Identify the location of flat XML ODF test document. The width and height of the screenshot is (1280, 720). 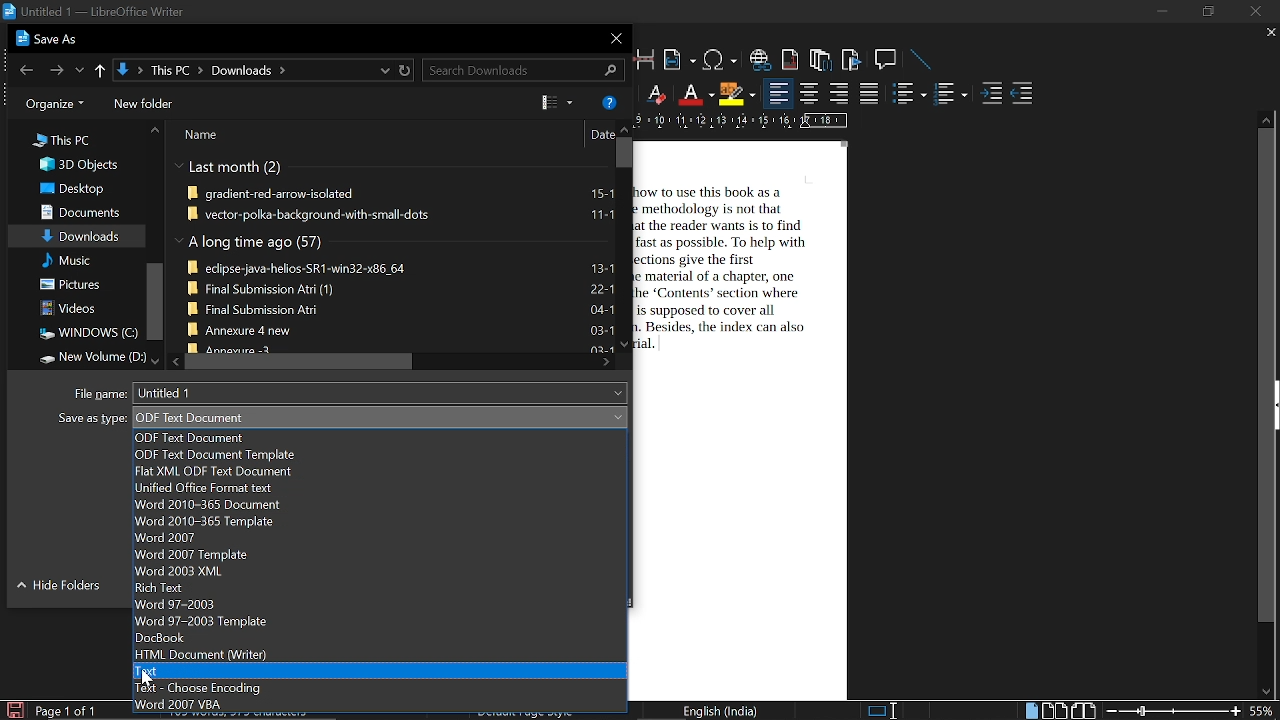
(378, 471).